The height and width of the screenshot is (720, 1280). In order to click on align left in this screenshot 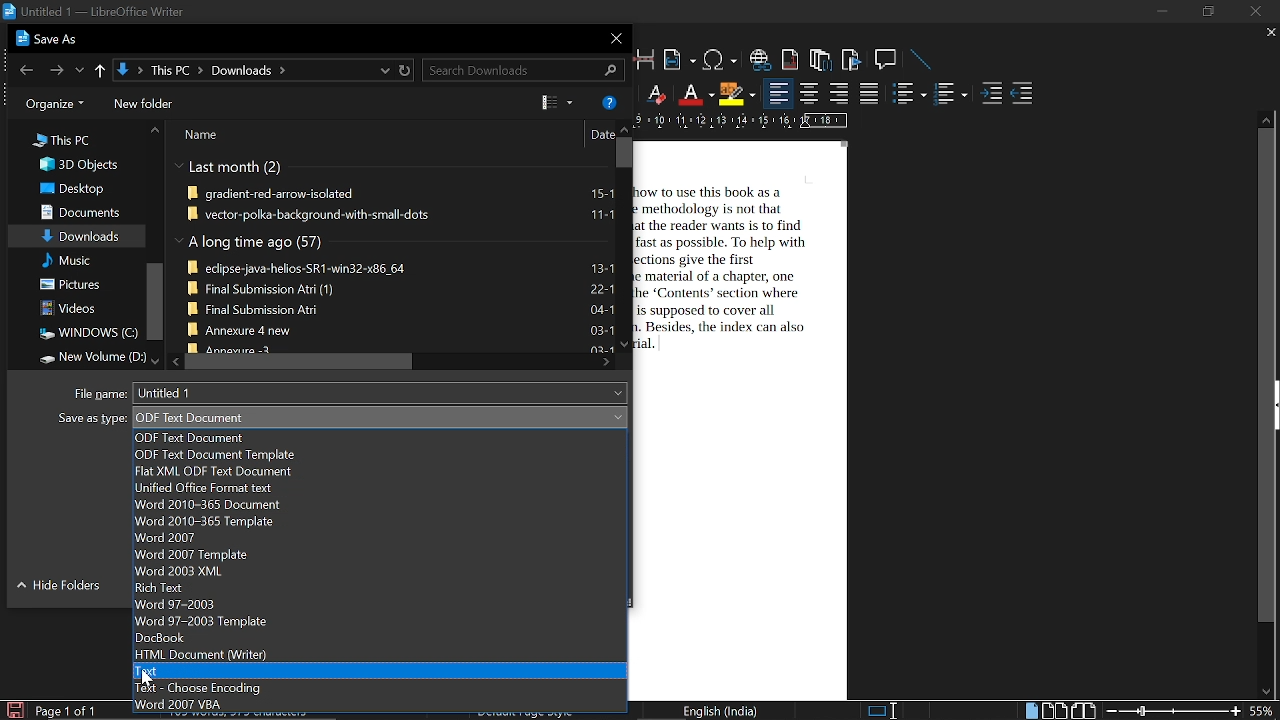, I will do `click(779, 93)`.